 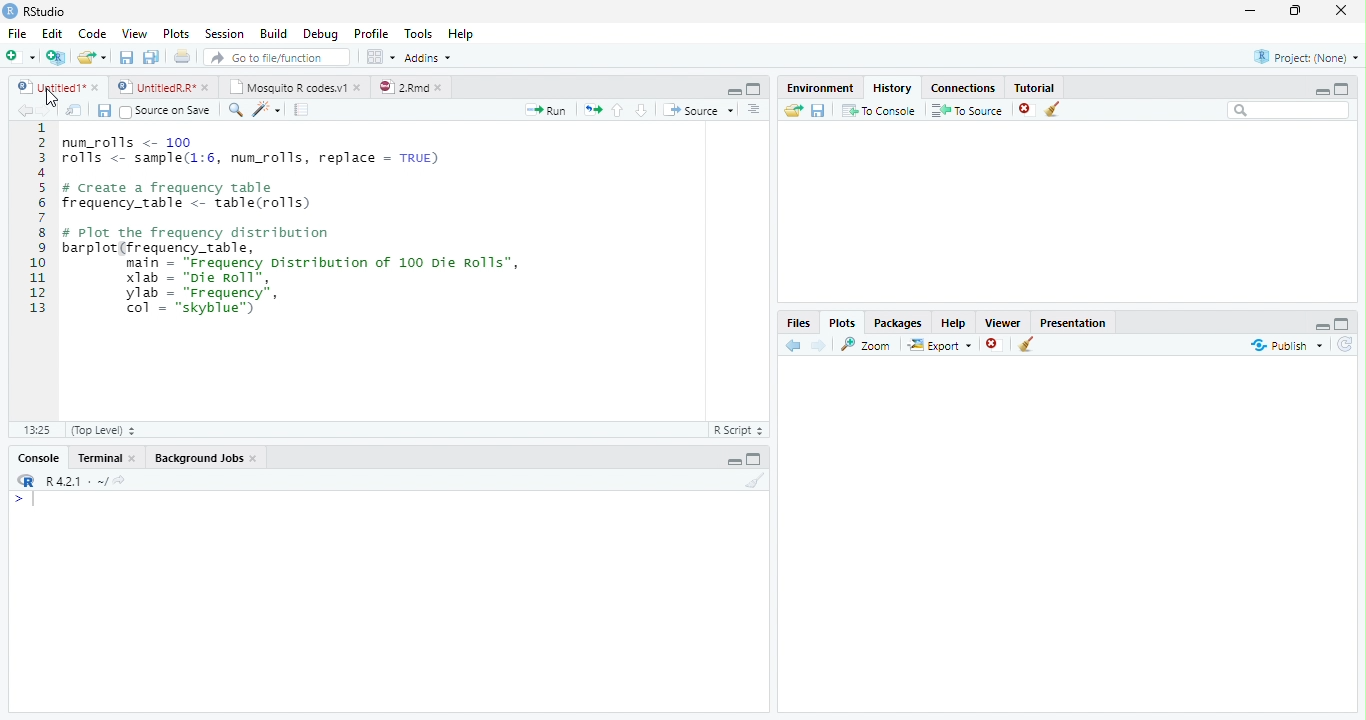 I want to click on Connections., so click(x=963, y=87).